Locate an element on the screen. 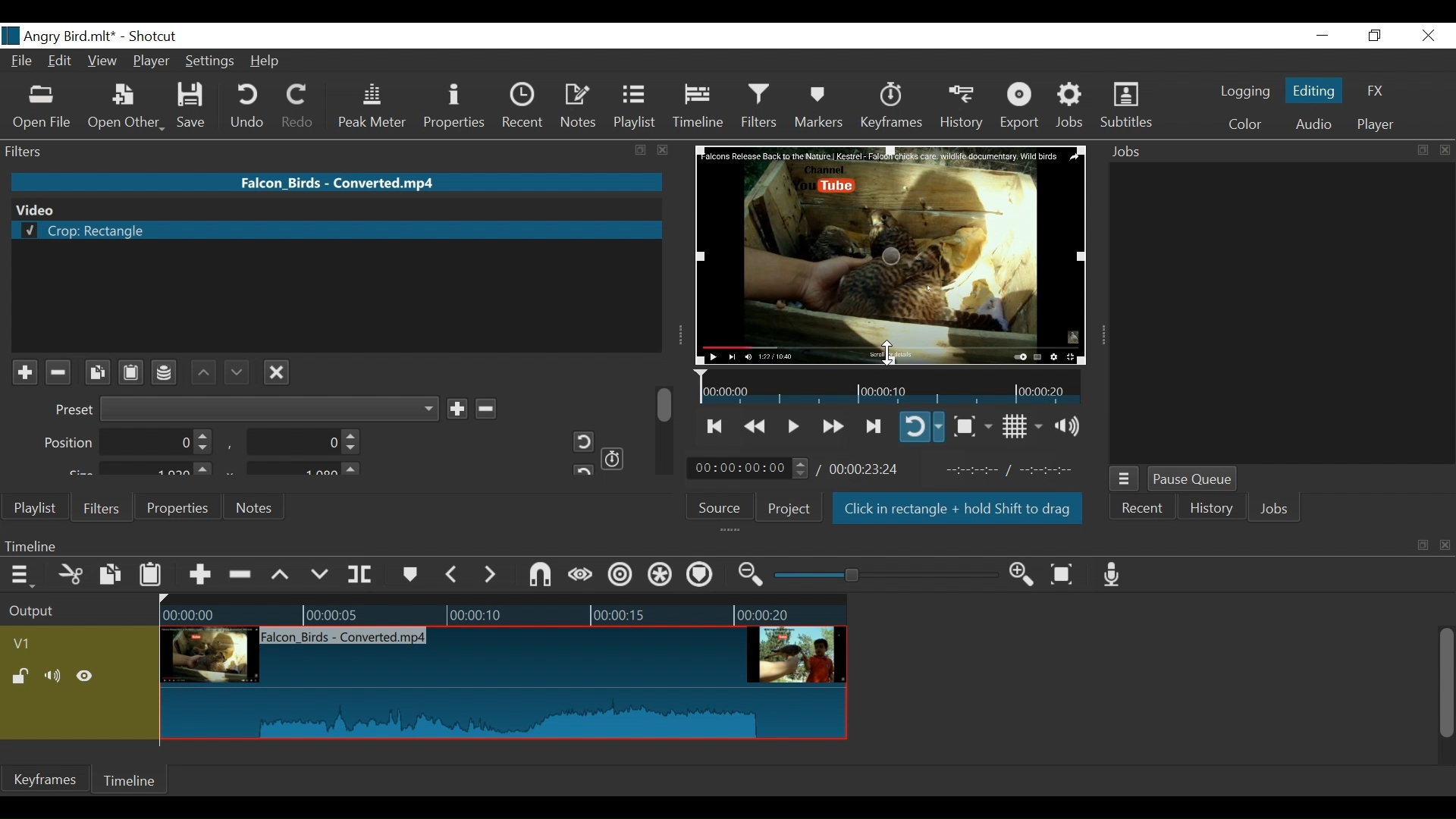 The height and width of the screenshot is (819, 1456). Zoom slider is located at coordinates (889, 575).